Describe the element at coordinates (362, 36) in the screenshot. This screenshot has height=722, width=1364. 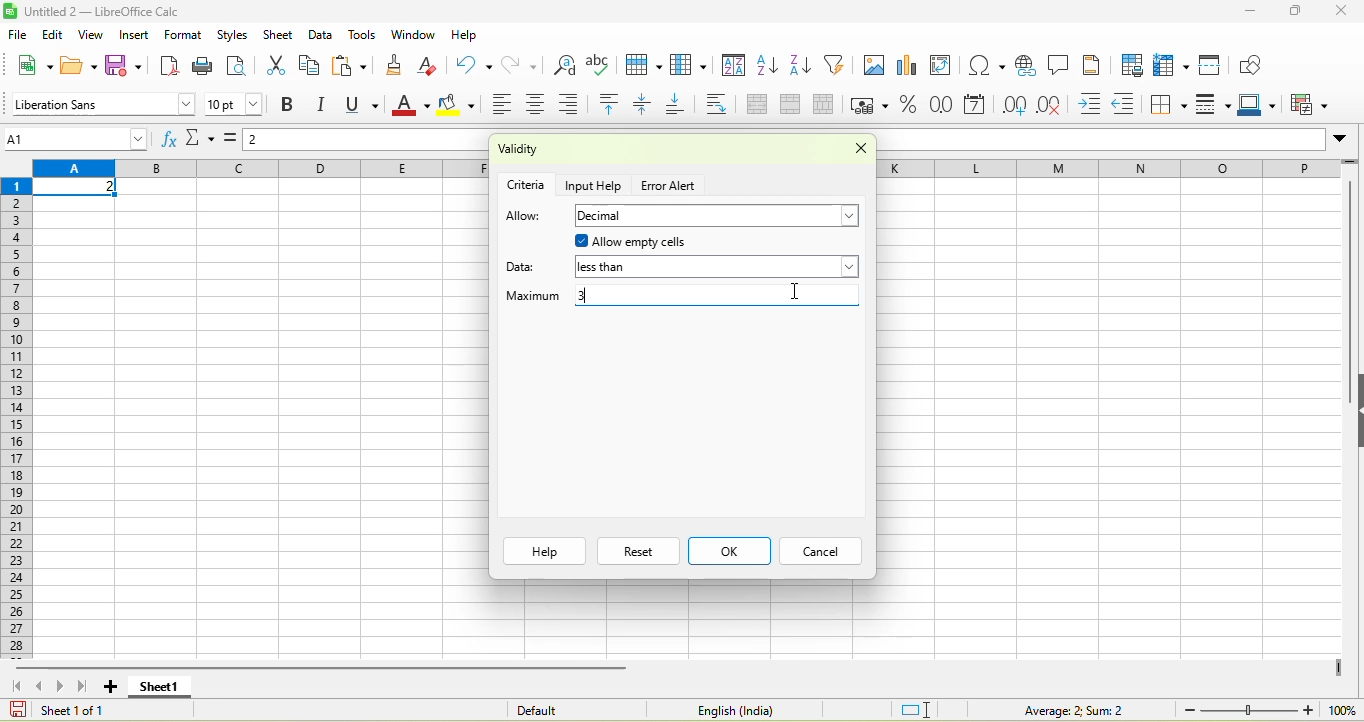
I see `tools` at that location.